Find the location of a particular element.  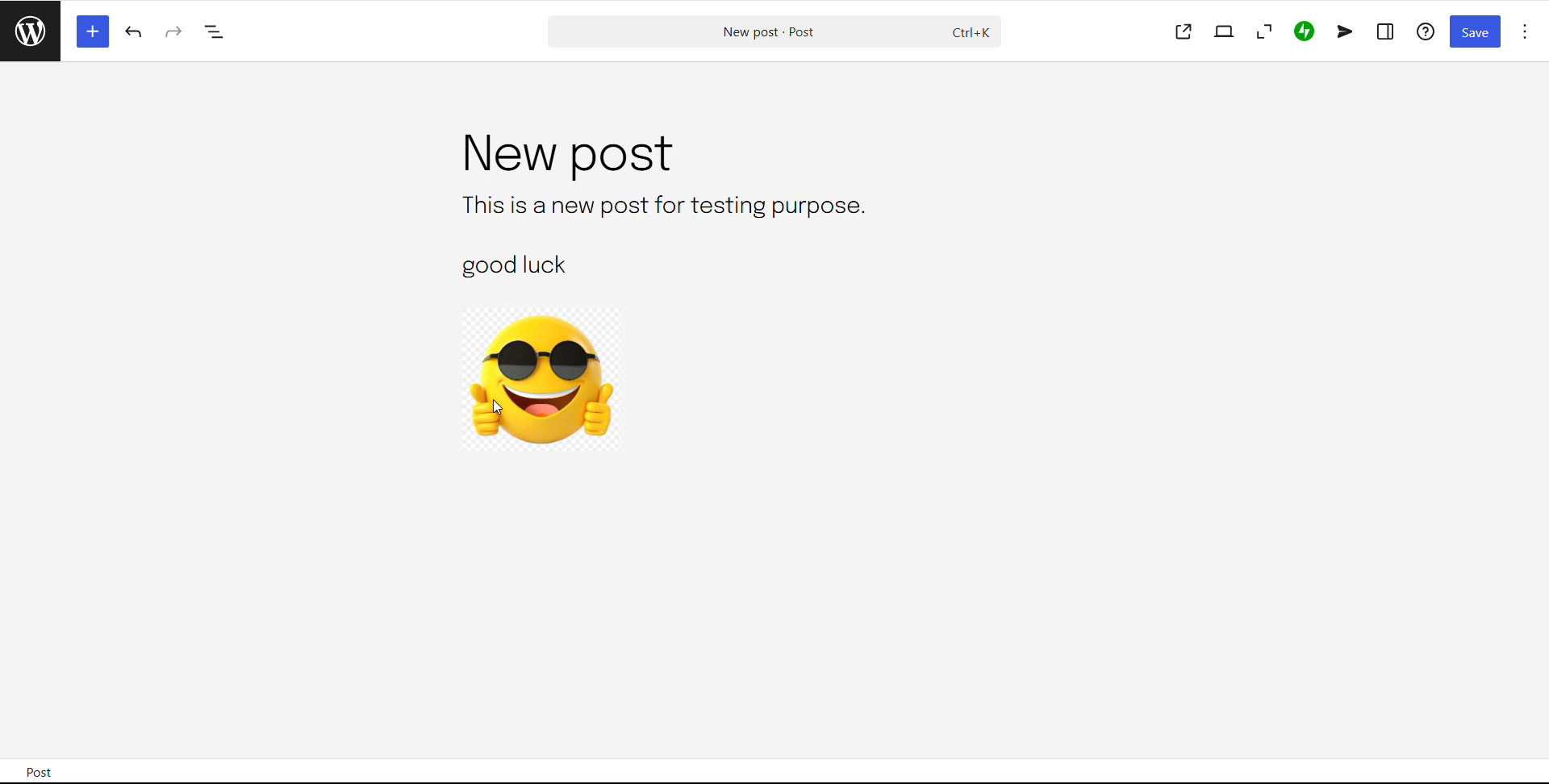

text block 1 is located at coordinates (660, 205).